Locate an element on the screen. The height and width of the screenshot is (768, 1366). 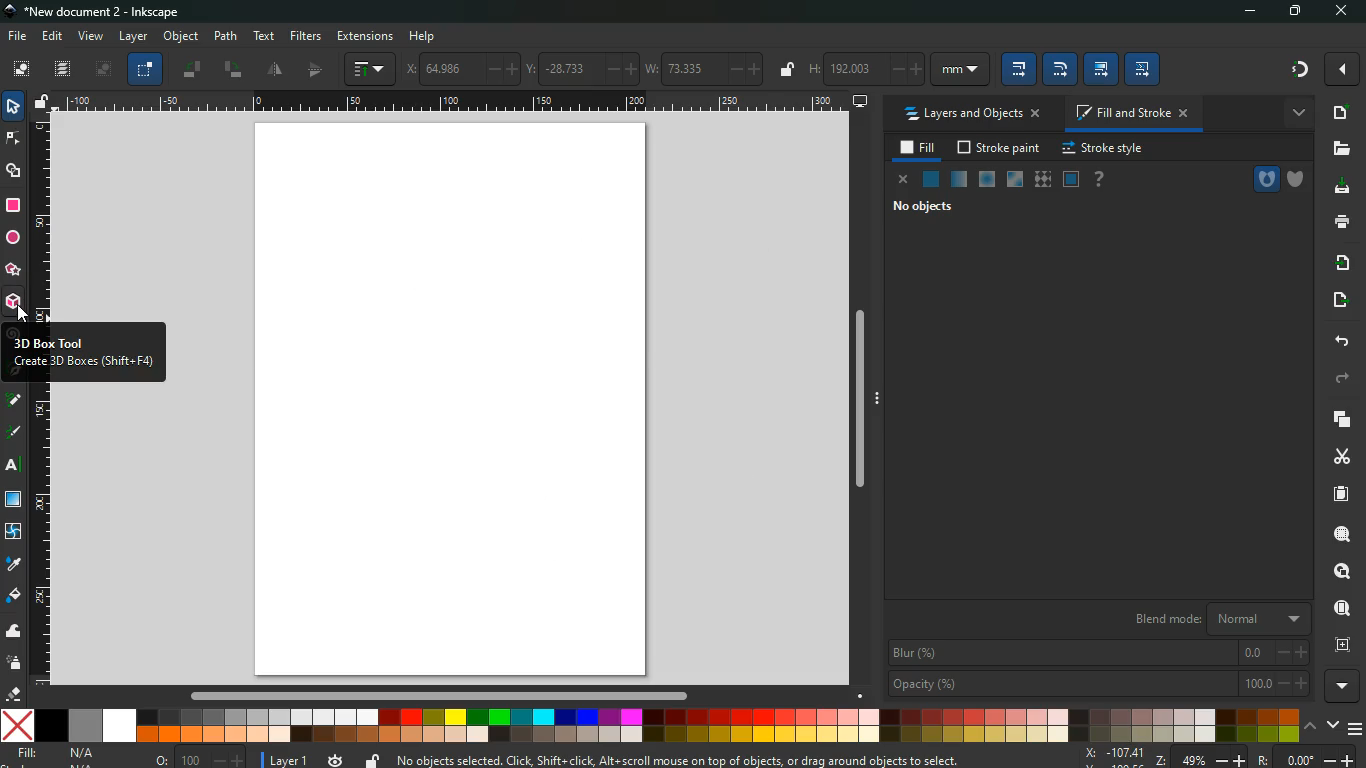
circle is located at coordinates (13, 240).